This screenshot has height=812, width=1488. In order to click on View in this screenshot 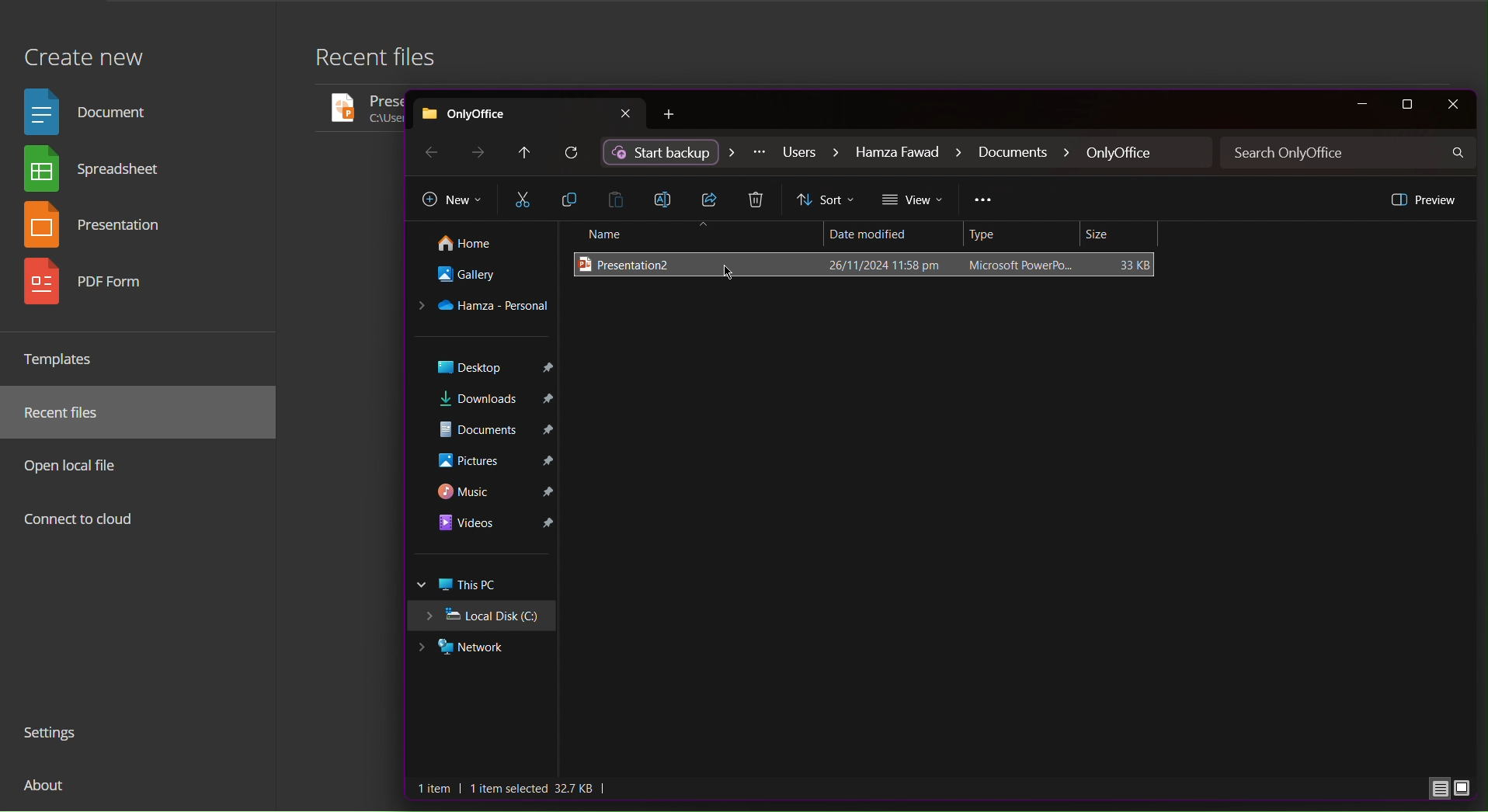, I will do `click(914, 200)`.